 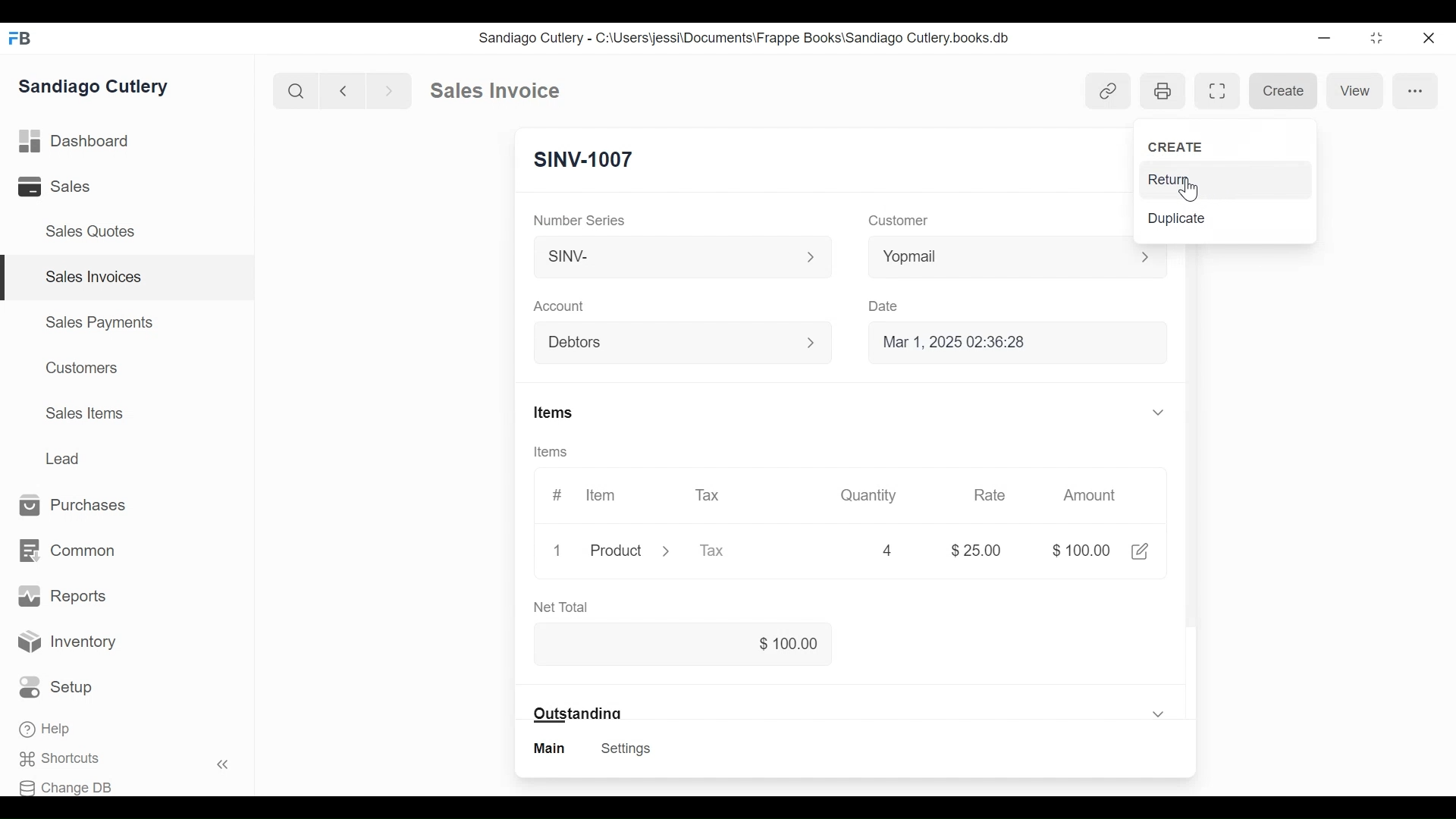 I want to click on  Sales, so click(x=52, y=186).